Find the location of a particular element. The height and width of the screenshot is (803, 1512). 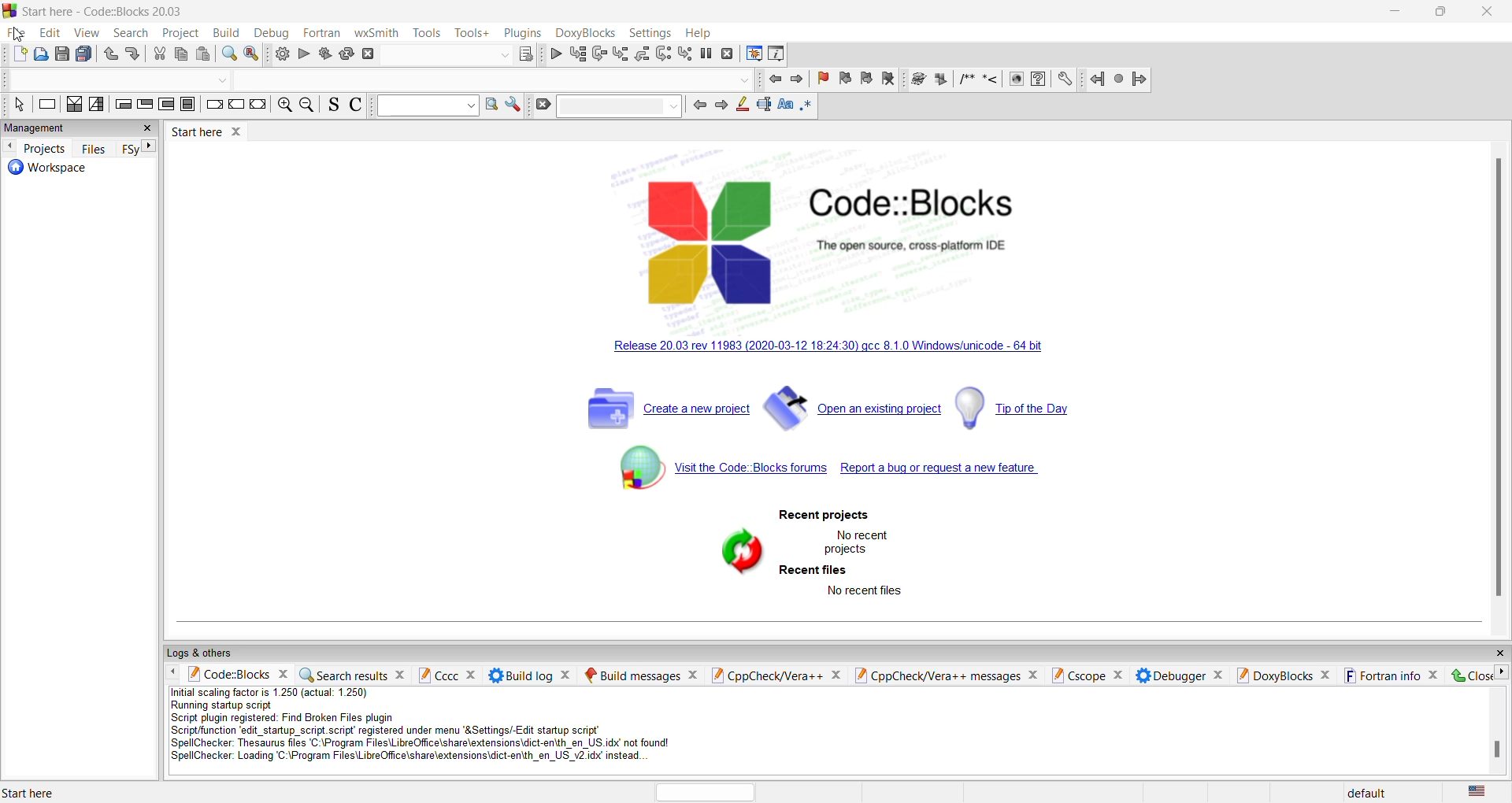

file is located at coordinates (20, 33).